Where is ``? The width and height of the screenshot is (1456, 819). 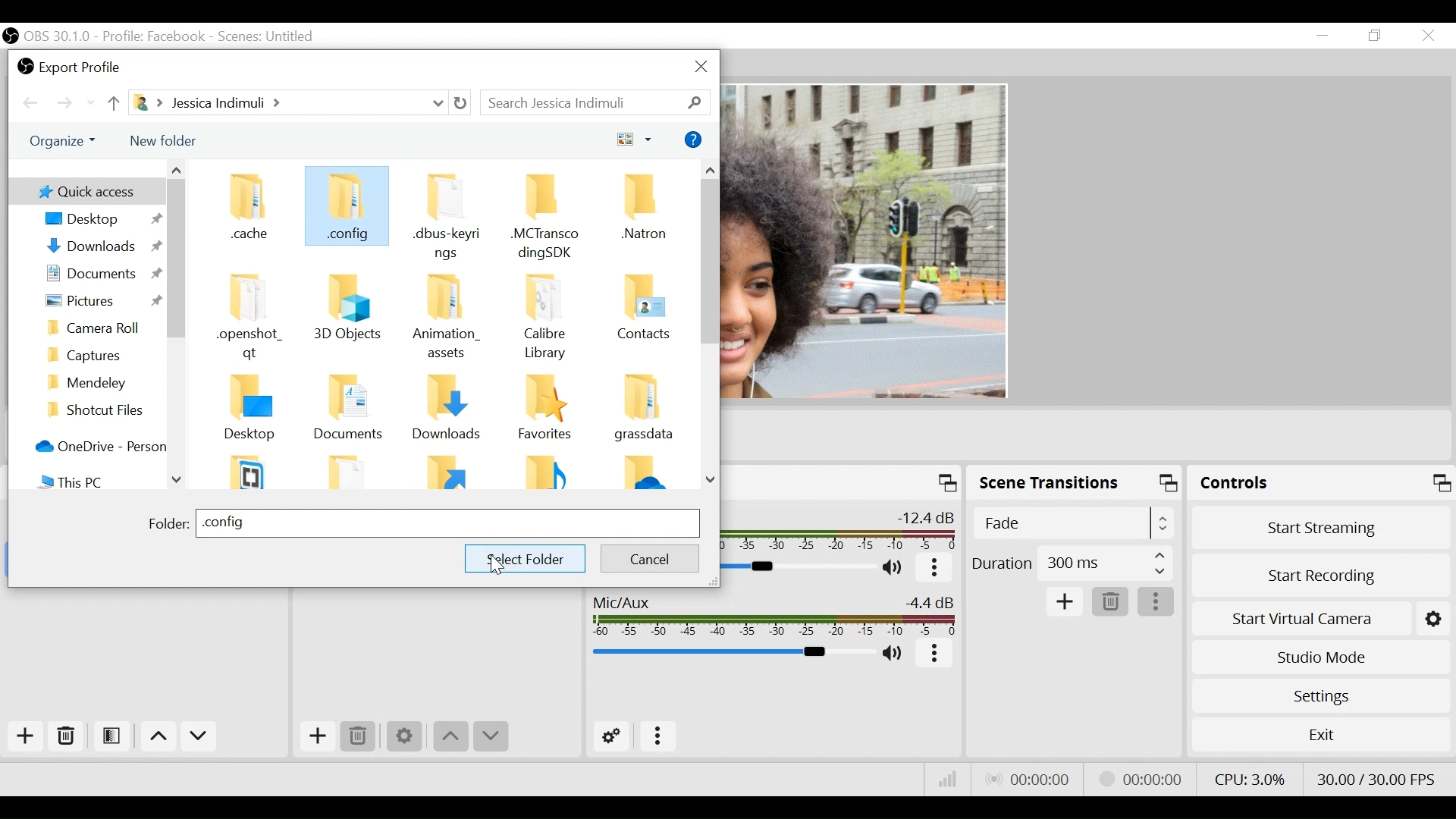
 is located at coordinates (347, 313).